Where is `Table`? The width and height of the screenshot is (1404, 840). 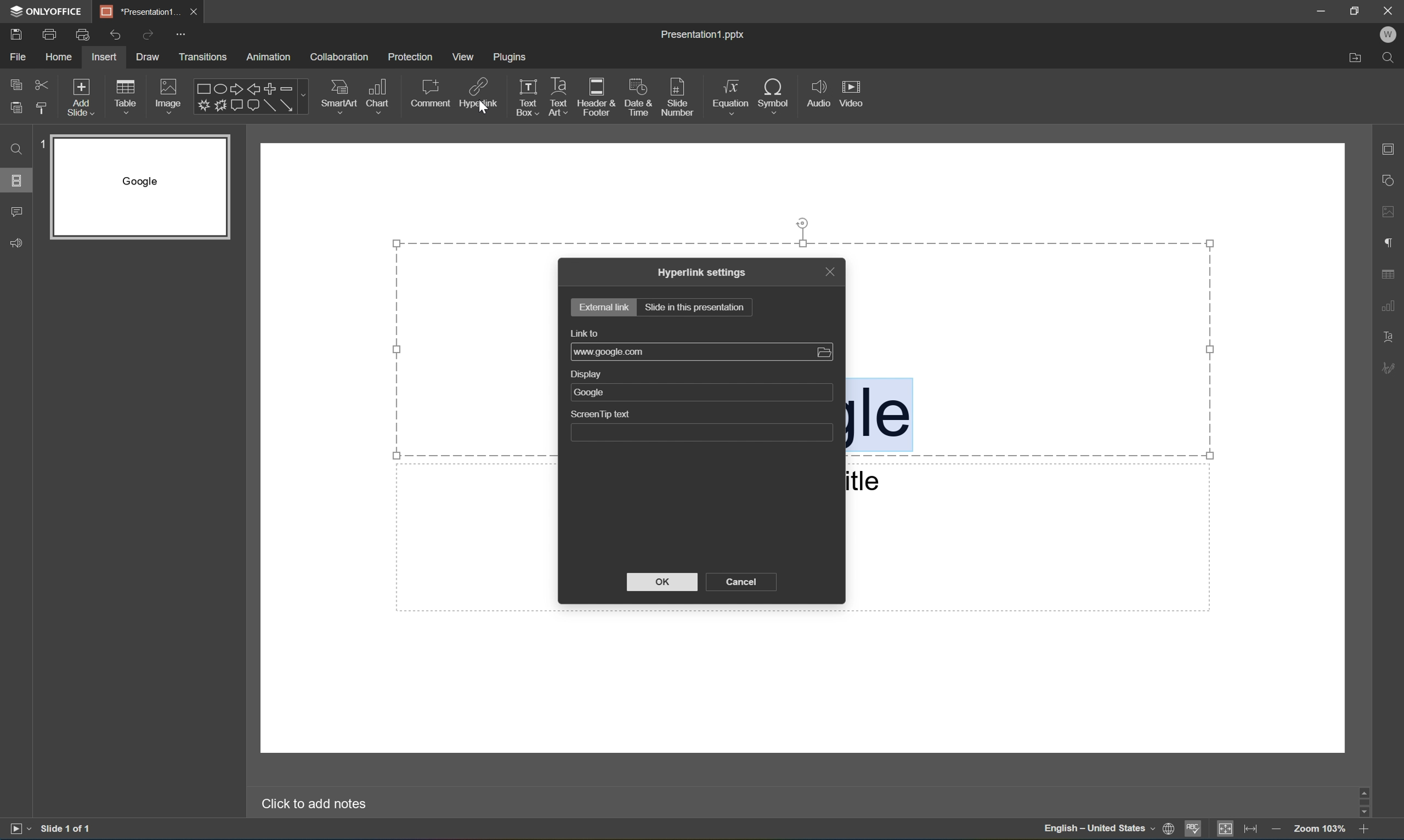 Table is located at coordinates (127, 98).